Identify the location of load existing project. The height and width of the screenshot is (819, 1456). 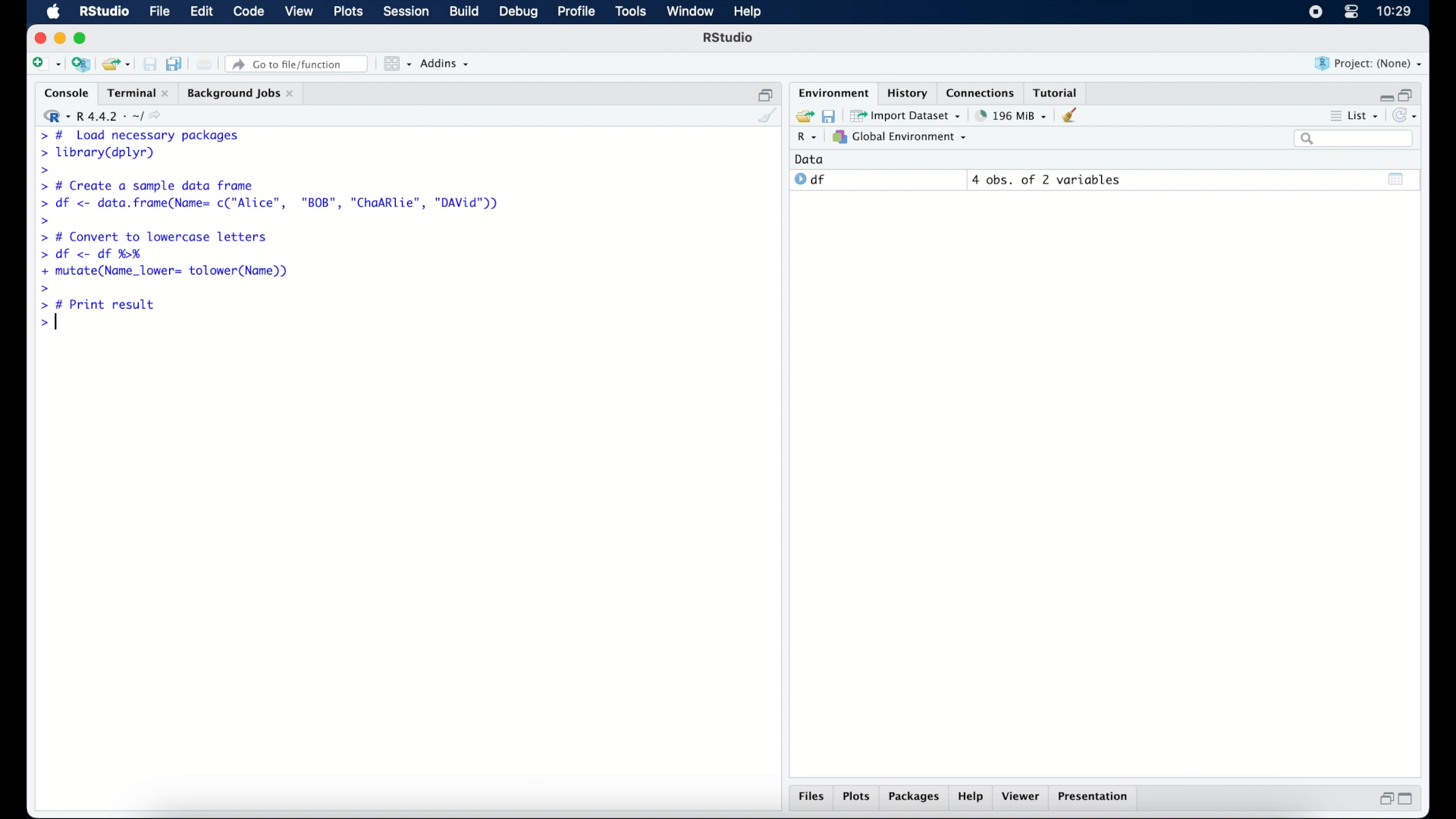
(115, 64).